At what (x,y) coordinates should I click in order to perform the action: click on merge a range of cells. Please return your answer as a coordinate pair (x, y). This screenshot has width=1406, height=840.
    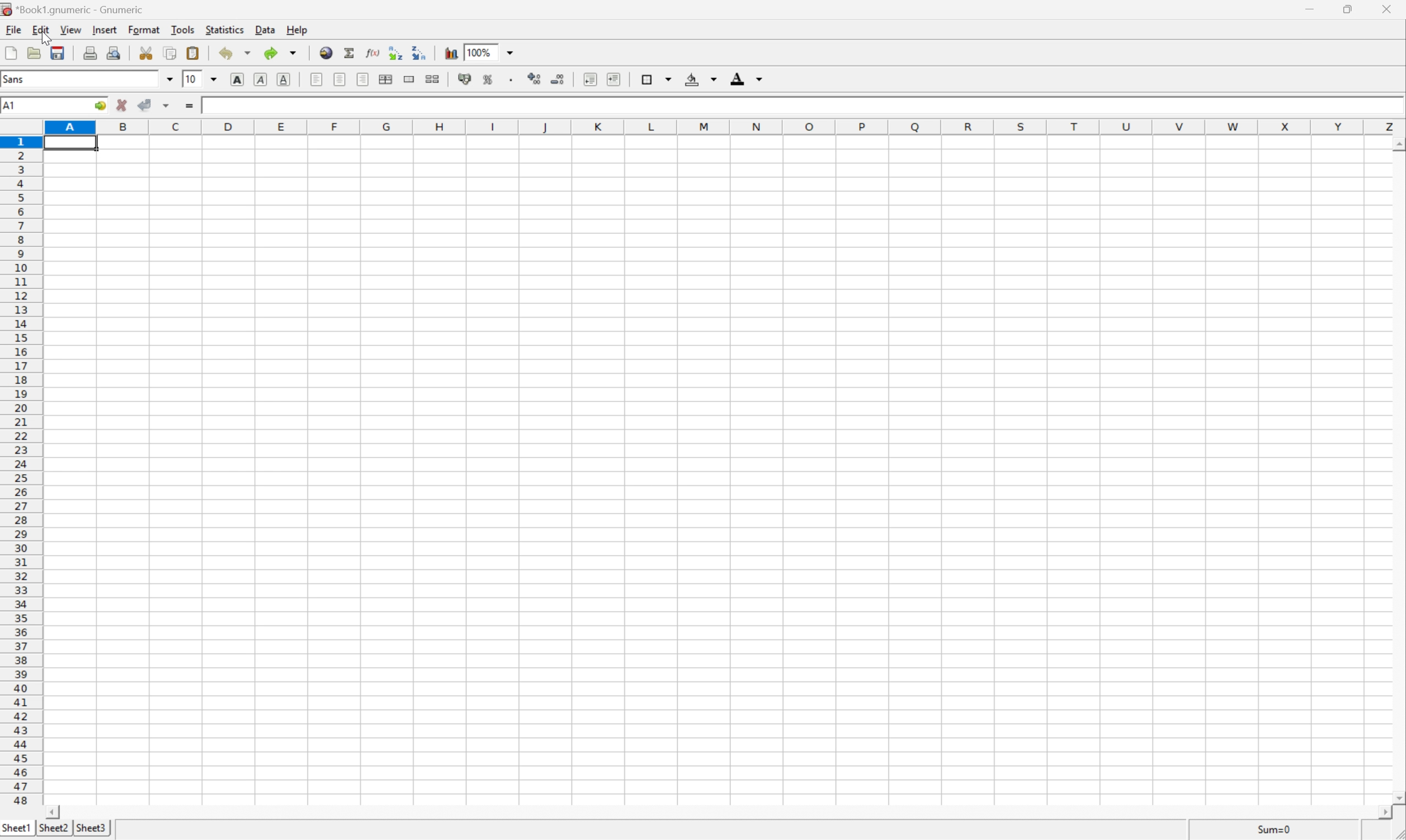
    Looking at the image, I should click on (408, 78).